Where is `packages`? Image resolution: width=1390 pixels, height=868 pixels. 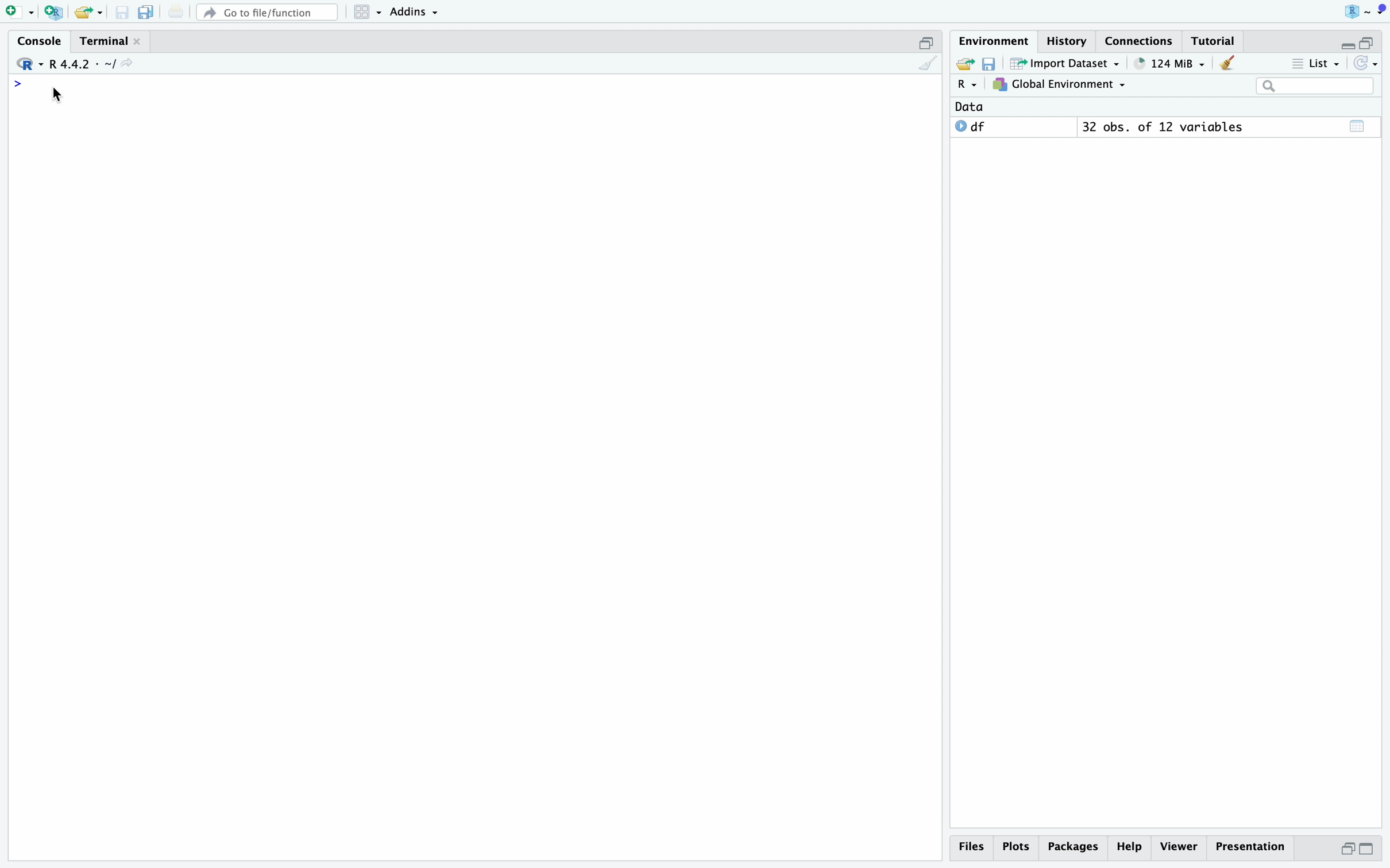
packages is located at coordinates (1074, 849).